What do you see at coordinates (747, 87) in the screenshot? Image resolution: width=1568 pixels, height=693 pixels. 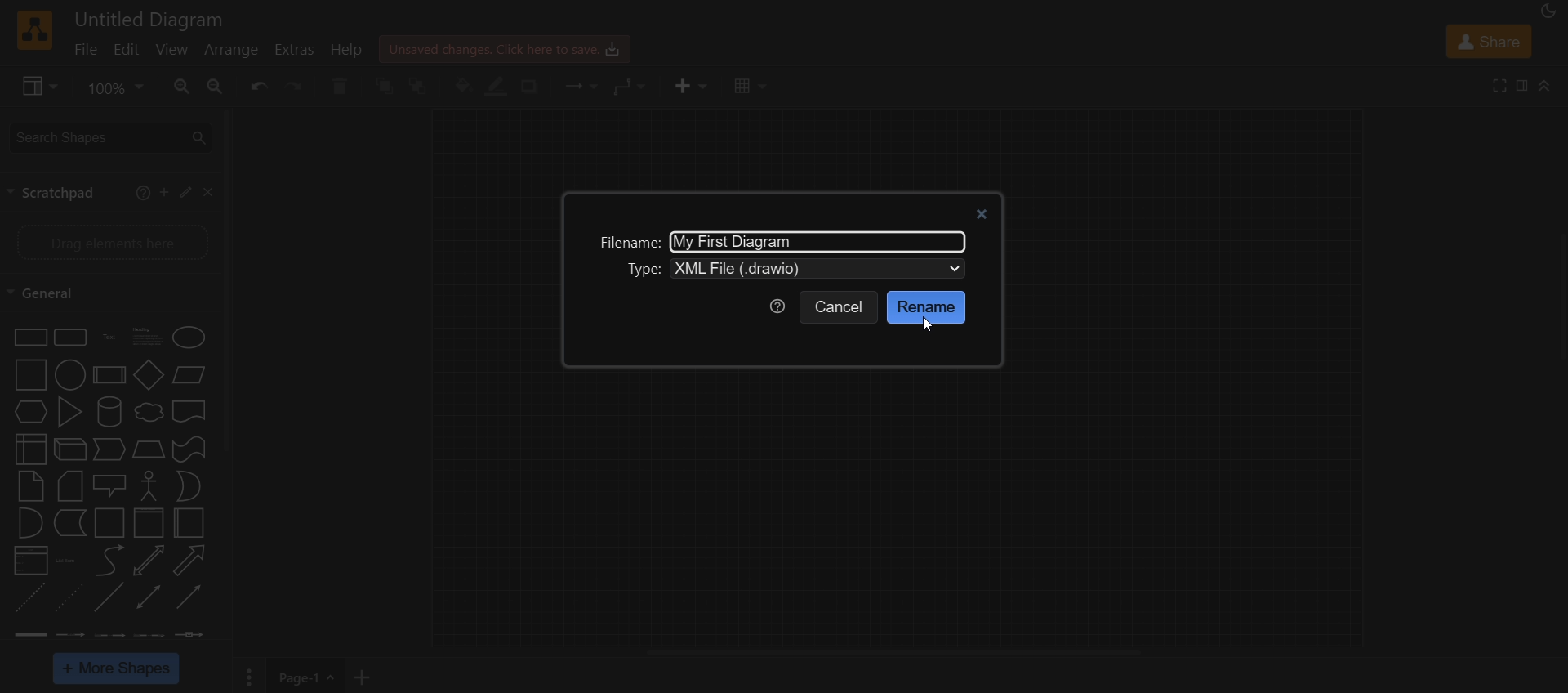 I see `table` at bounding box center [747, 87].